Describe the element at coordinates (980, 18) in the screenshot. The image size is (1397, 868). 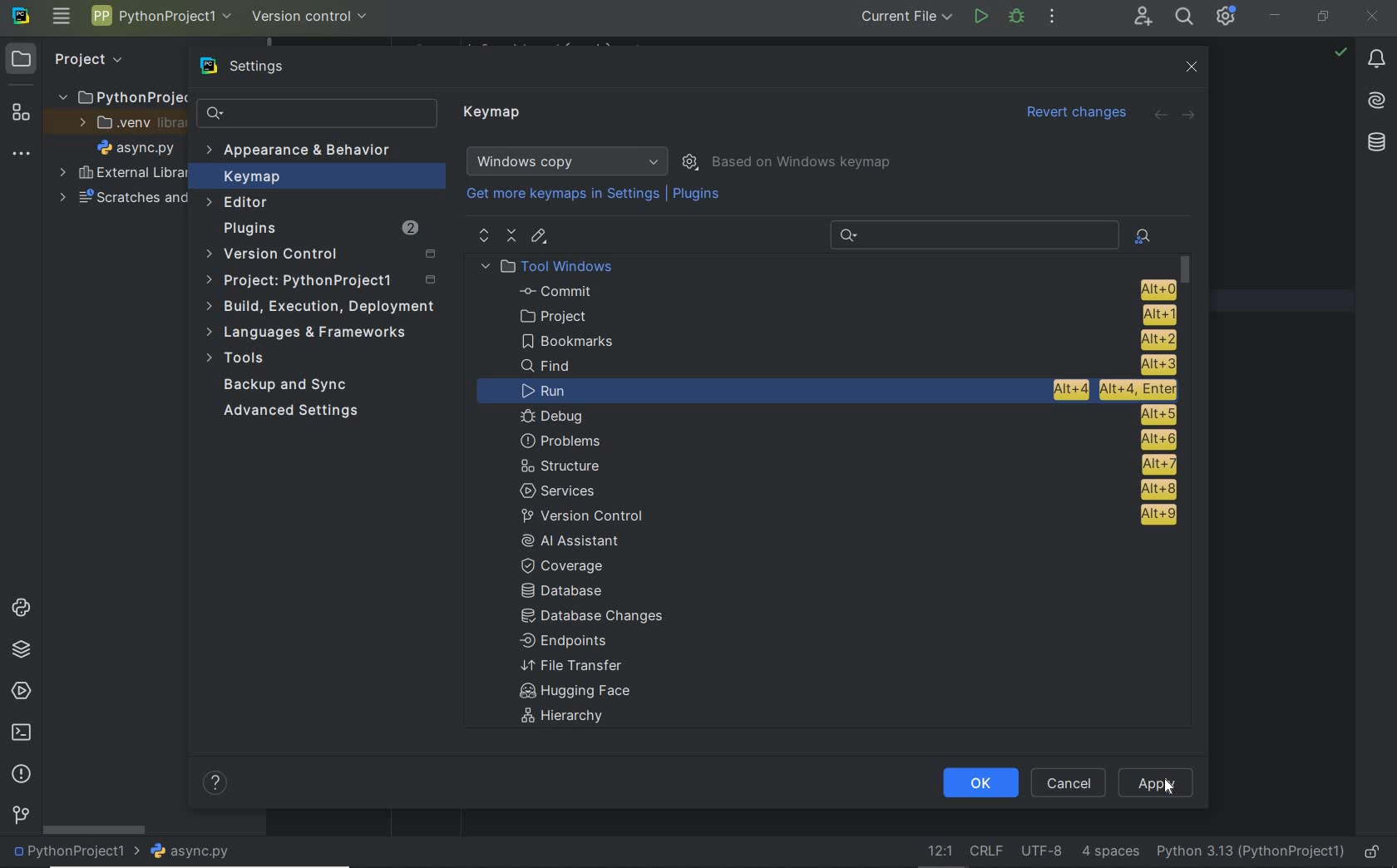
I see `run` at that location.